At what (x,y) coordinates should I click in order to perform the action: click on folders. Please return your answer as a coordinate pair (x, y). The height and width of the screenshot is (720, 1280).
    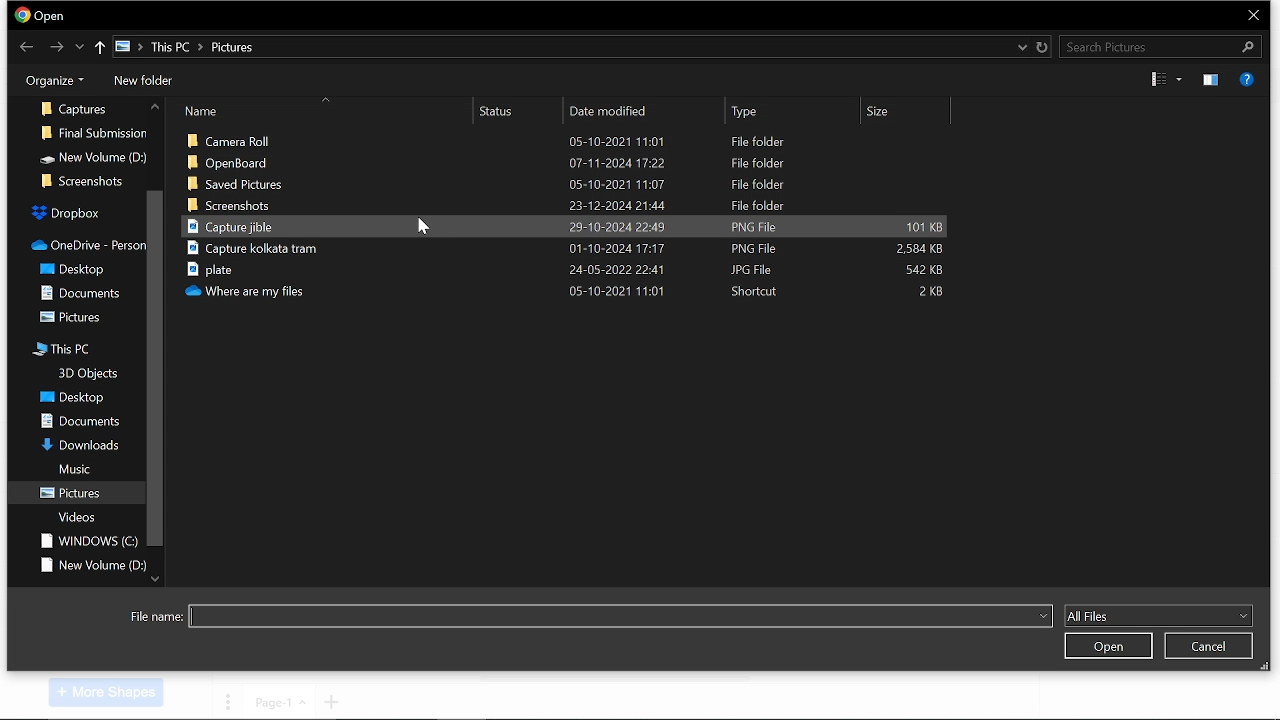
    Looking at the image, I should click on (72, 399).